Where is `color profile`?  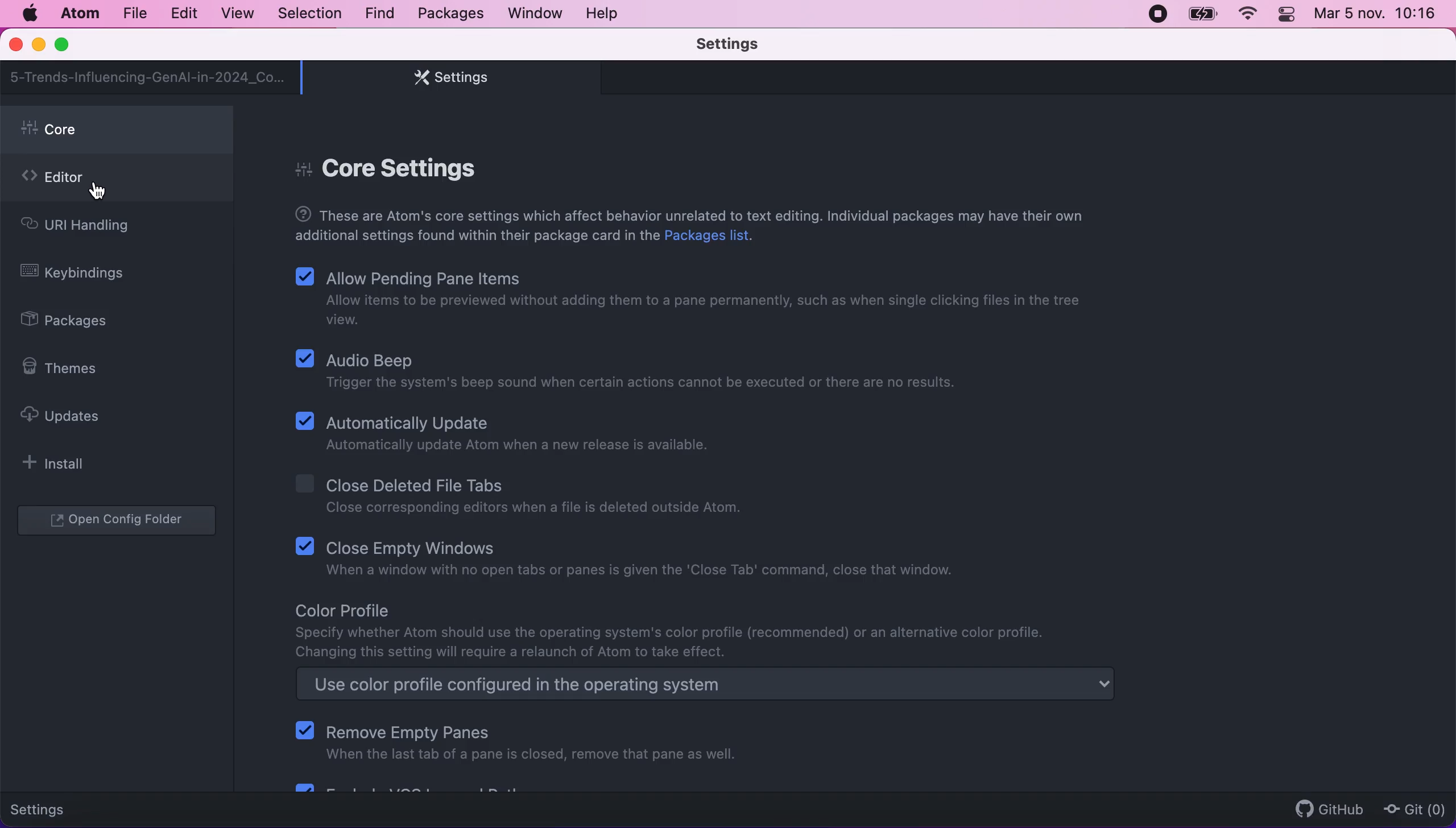
color profile is located at coordinates (678, 631).